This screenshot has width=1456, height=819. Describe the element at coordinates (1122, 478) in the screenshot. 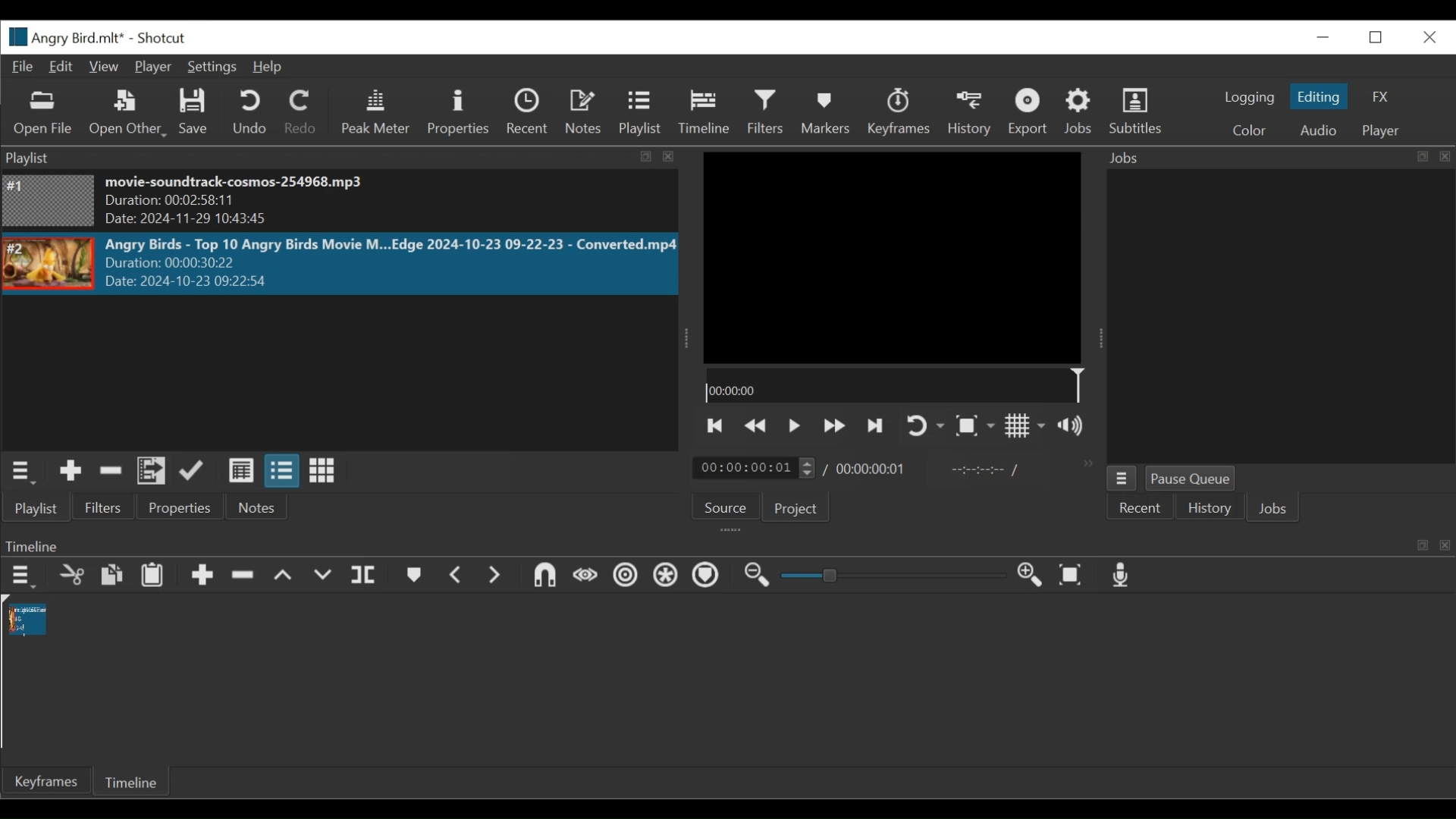

I see `Jobs Menu` at that location.